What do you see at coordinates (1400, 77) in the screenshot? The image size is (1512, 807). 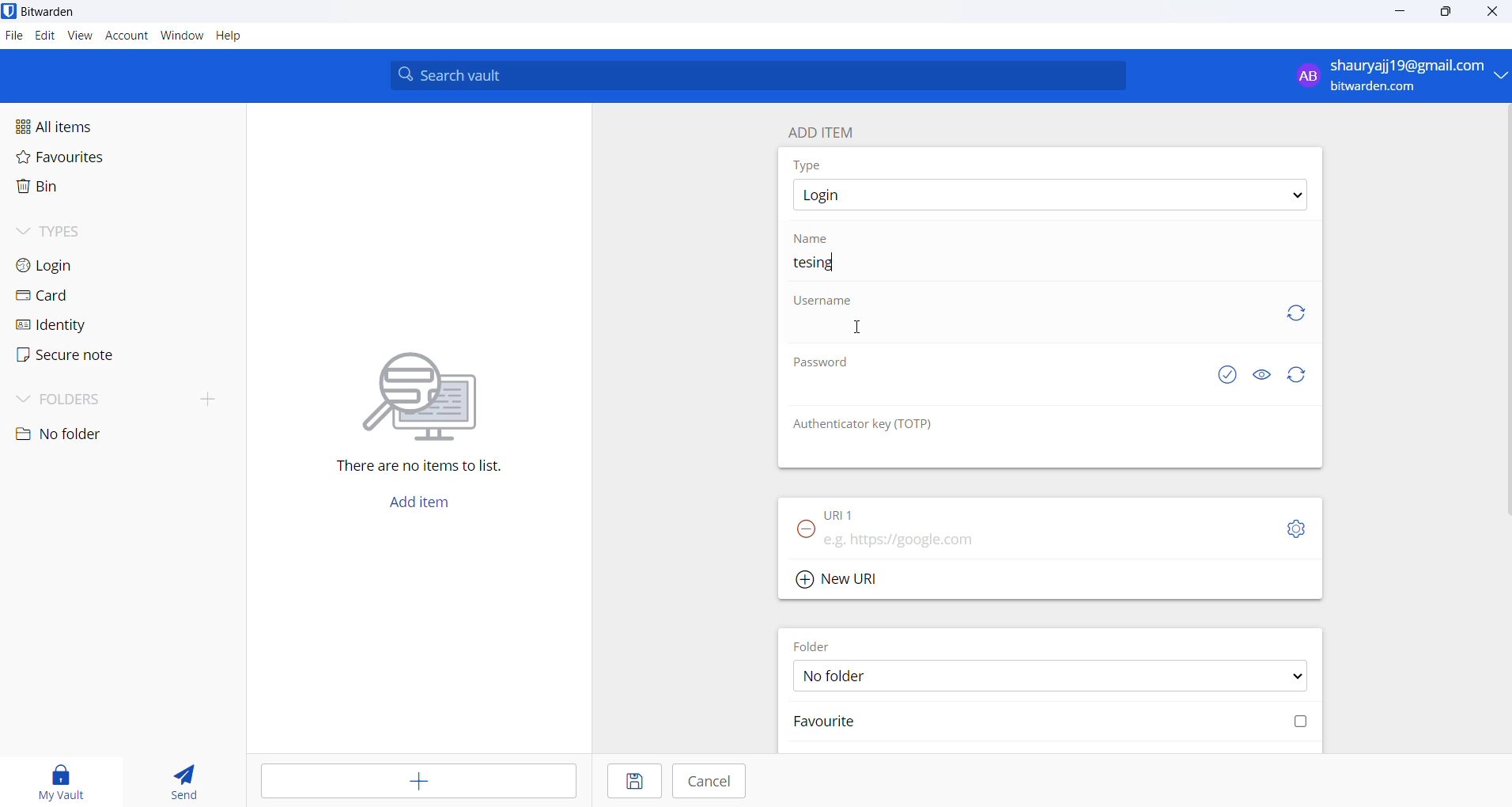 I see `login and logout options` at bounding box center [1400, 77].